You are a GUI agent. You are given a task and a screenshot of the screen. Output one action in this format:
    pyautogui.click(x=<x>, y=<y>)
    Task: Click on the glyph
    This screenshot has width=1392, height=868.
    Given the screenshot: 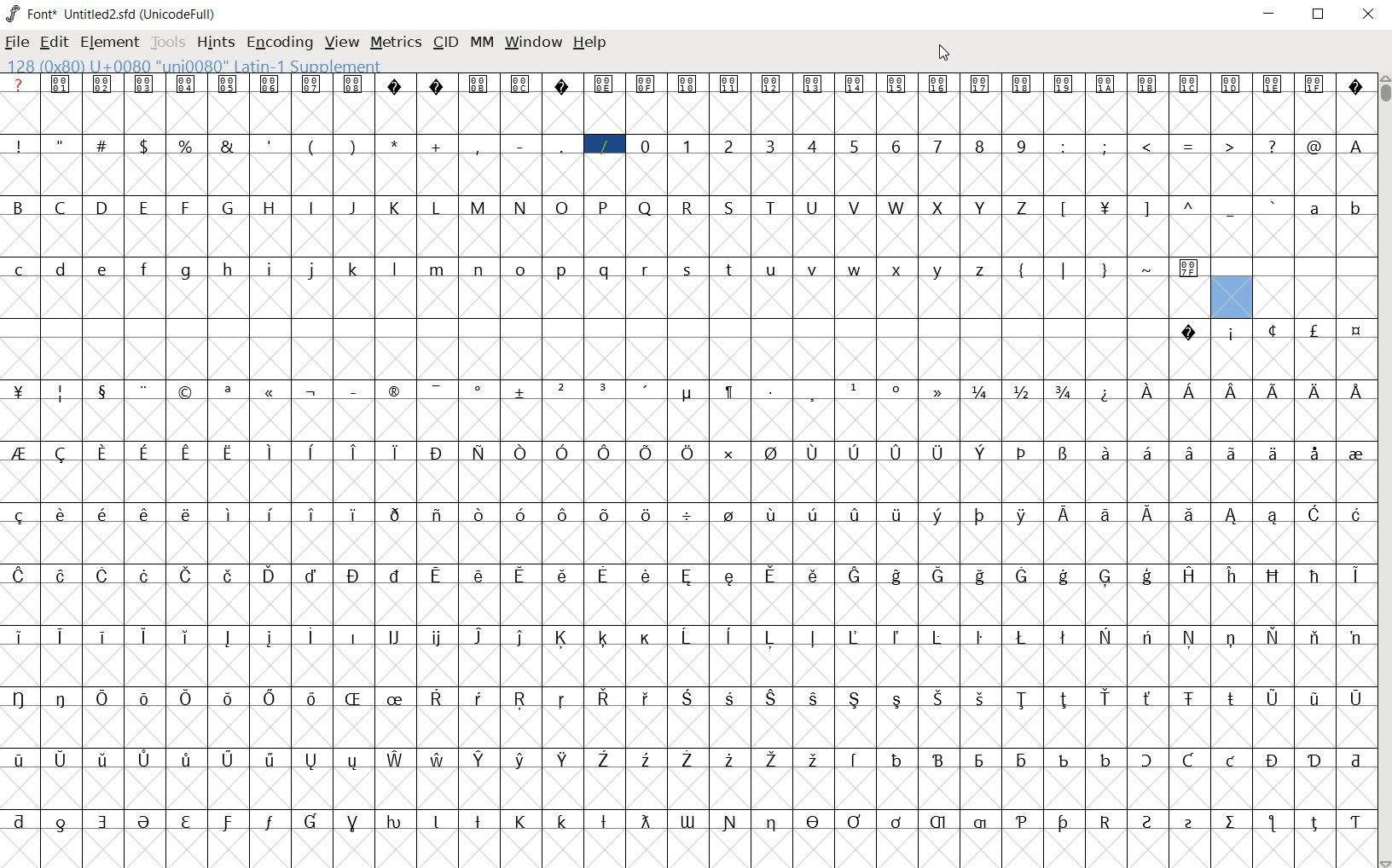 What is the action you would take?
    pyautogui.click(x=309, y=636)
    